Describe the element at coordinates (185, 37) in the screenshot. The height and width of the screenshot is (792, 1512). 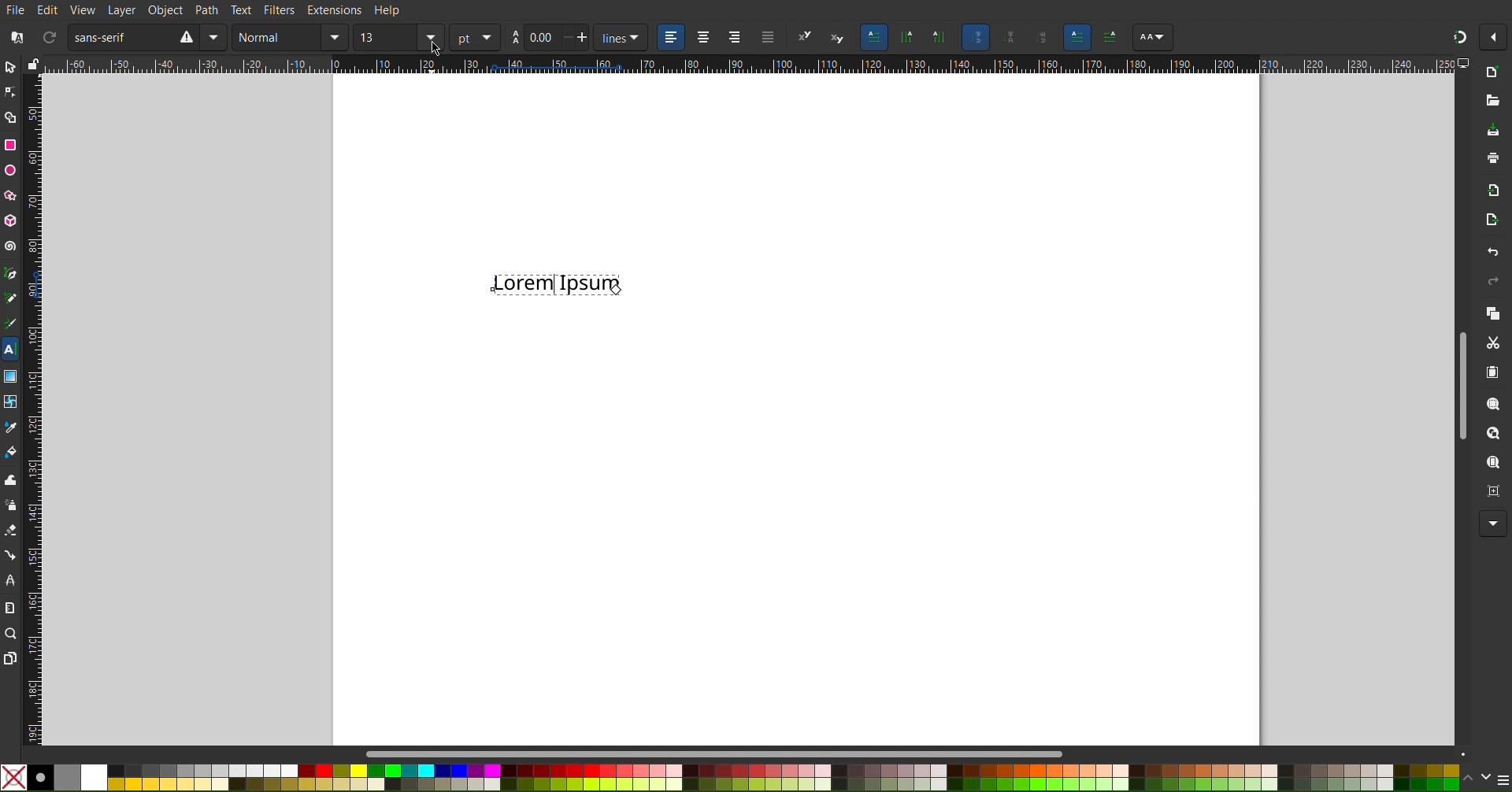
I see `warning` at that location.